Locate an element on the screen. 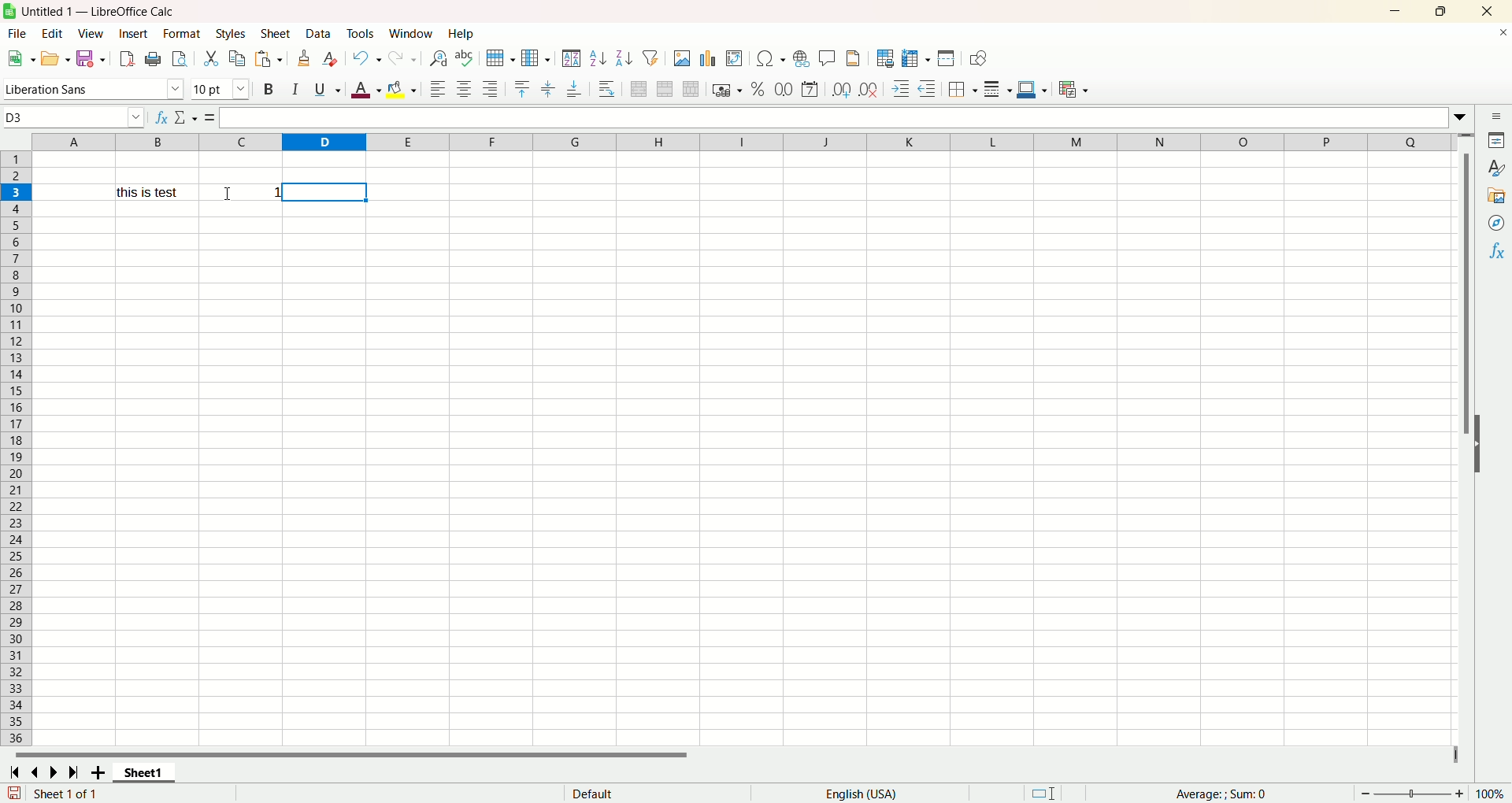  align right is located at coordinates (490, 89).